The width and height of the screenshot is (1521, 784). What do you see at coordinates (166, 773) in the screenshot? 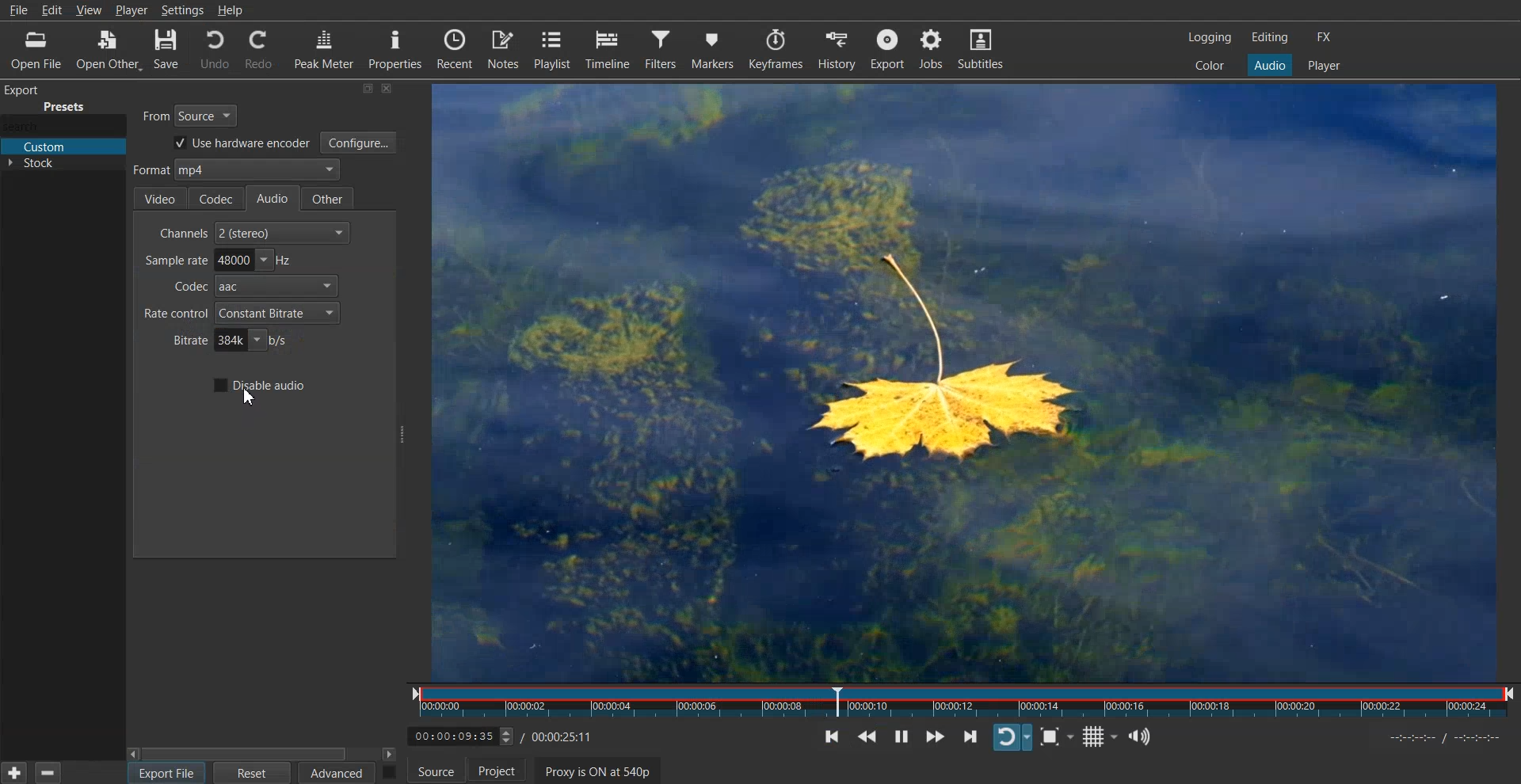
I see `Export File` at bounding box center [166, 773].